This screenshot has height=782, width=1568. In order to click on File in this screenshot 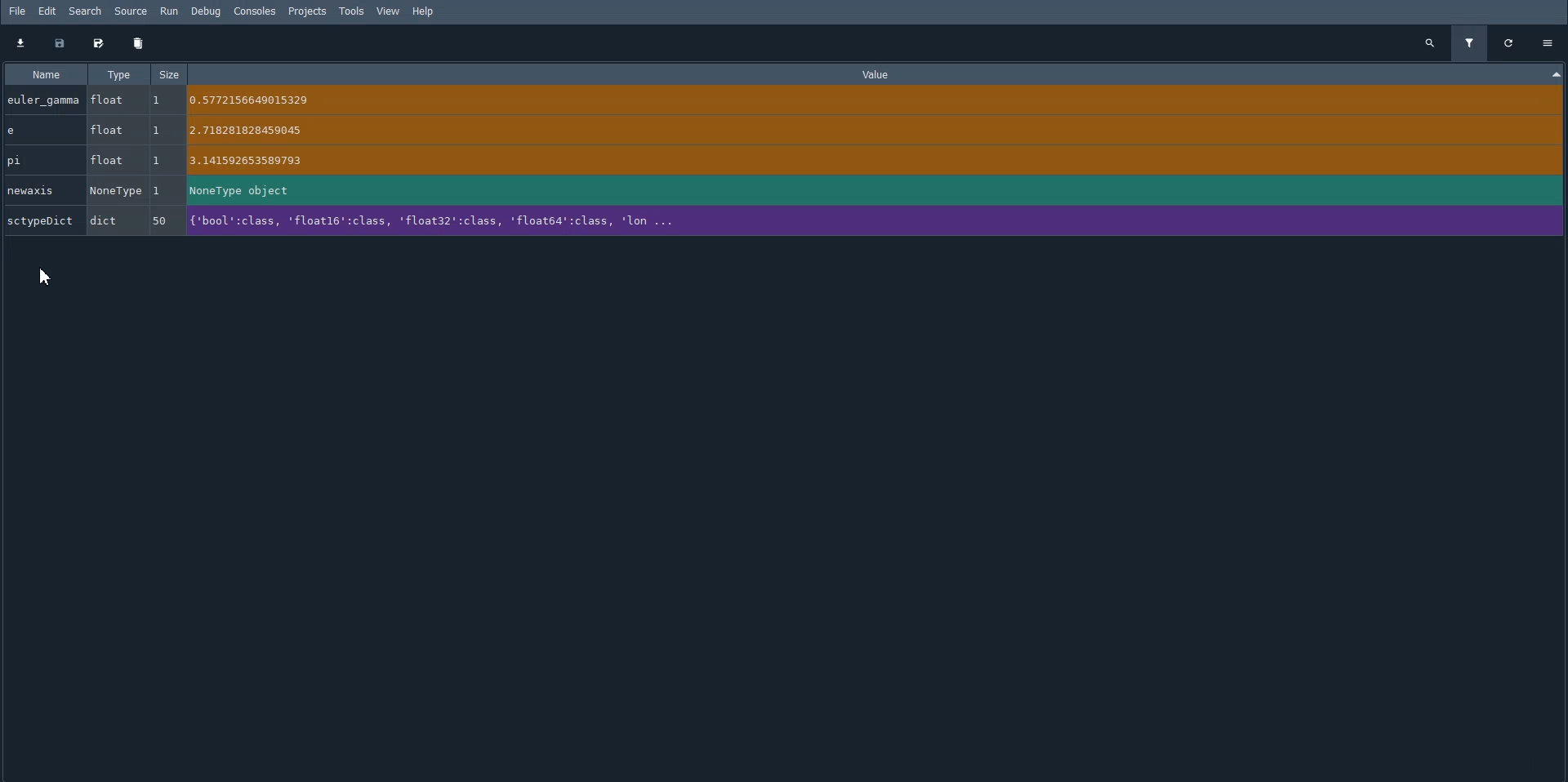, I will do `click(14, 11)`.